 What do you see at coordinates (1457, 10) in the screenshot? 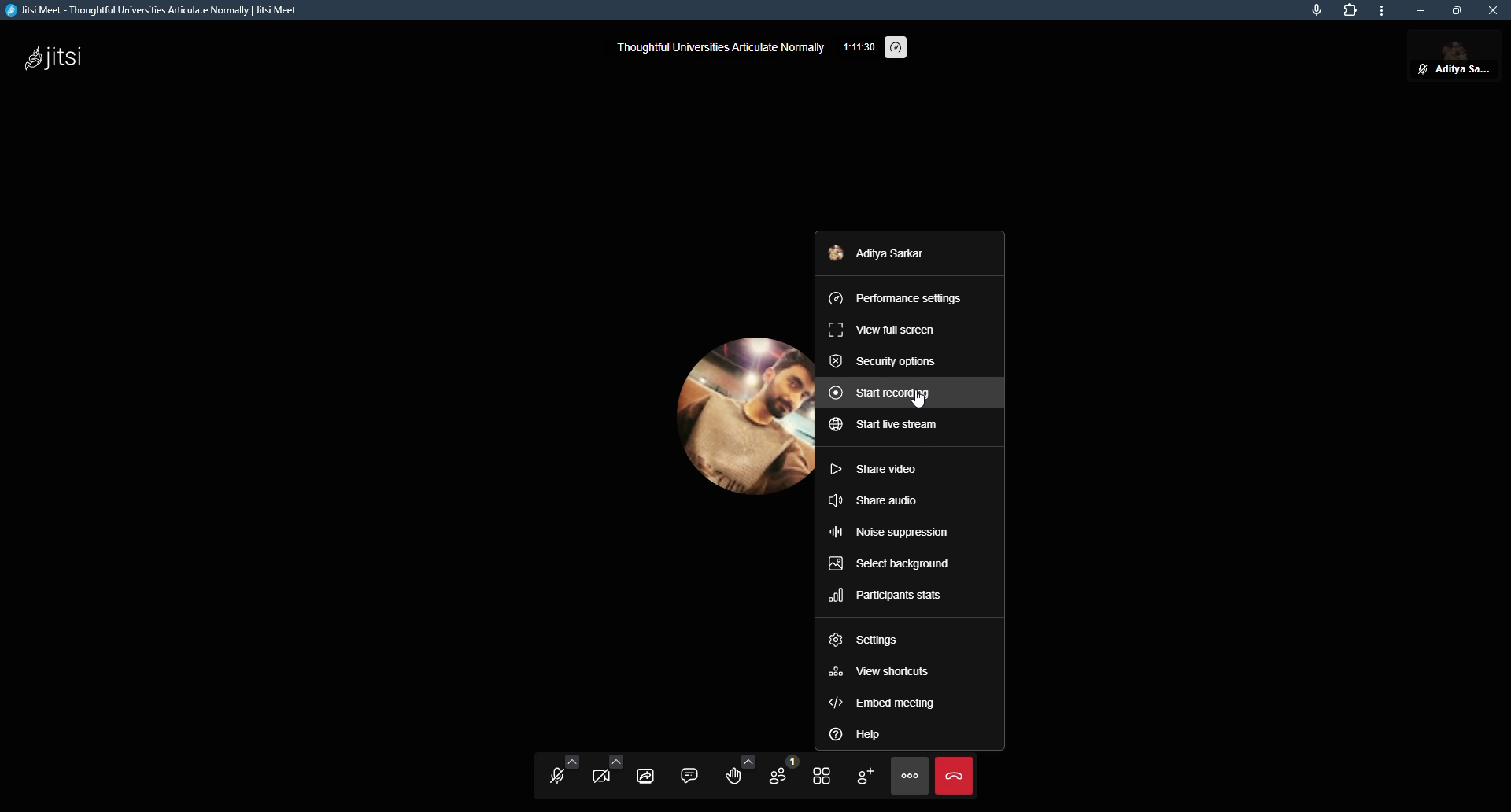
I see `maximize` at bounding box center [1457, 10].